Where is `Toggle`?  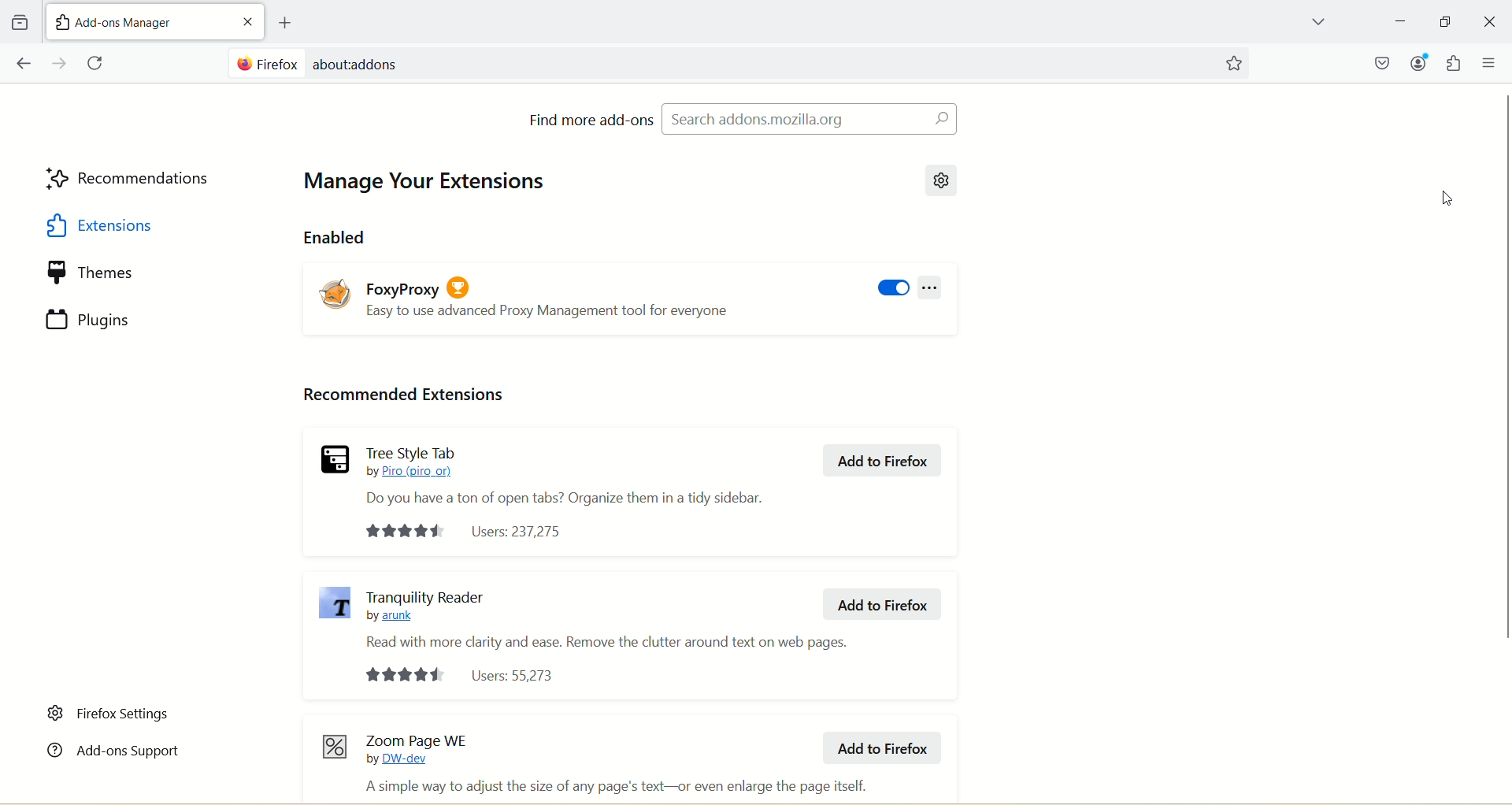
Toggle is located at coordinates (892, 289).